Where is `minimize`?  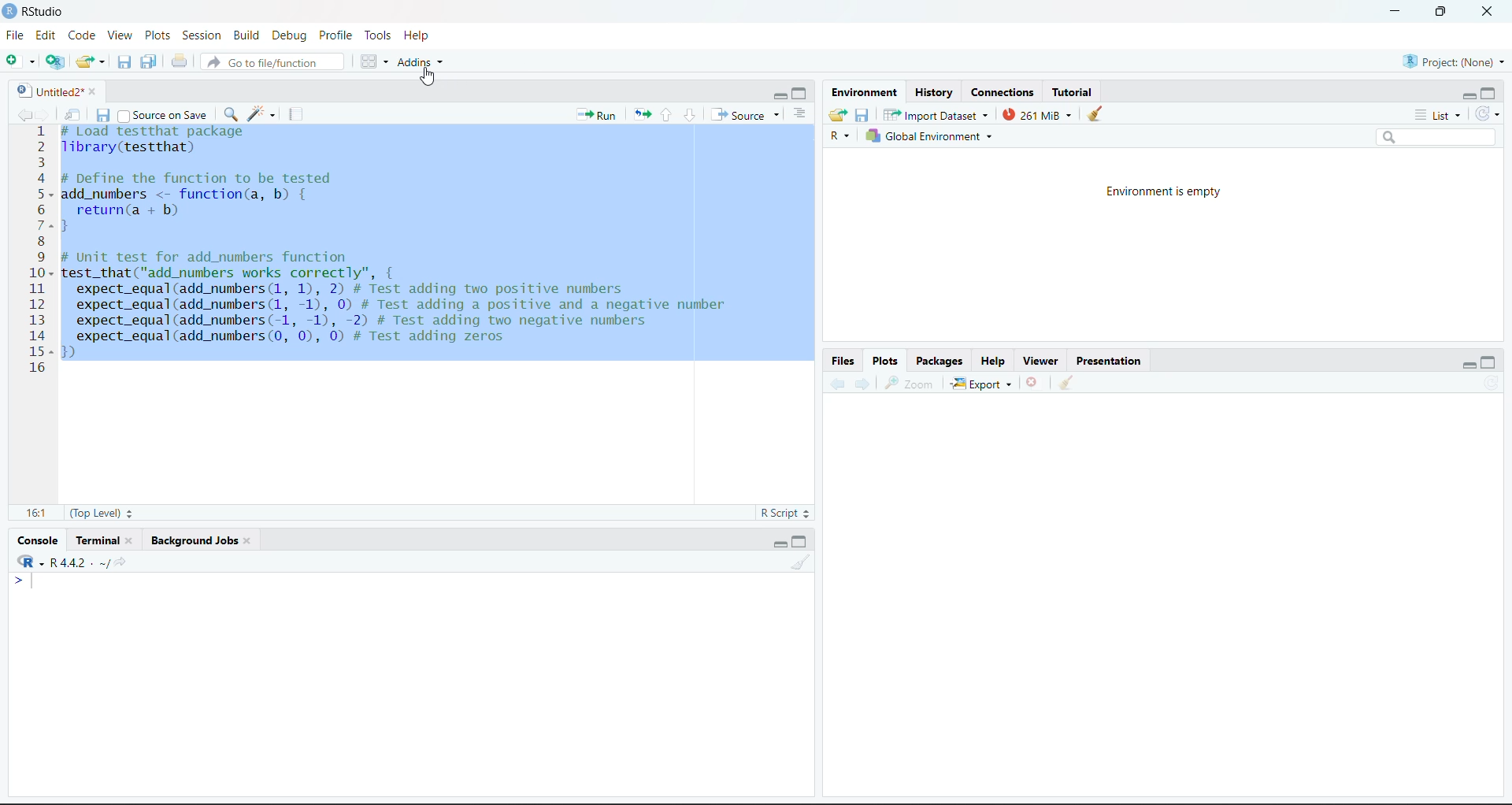 minimize is located at coordinates (774, 94).